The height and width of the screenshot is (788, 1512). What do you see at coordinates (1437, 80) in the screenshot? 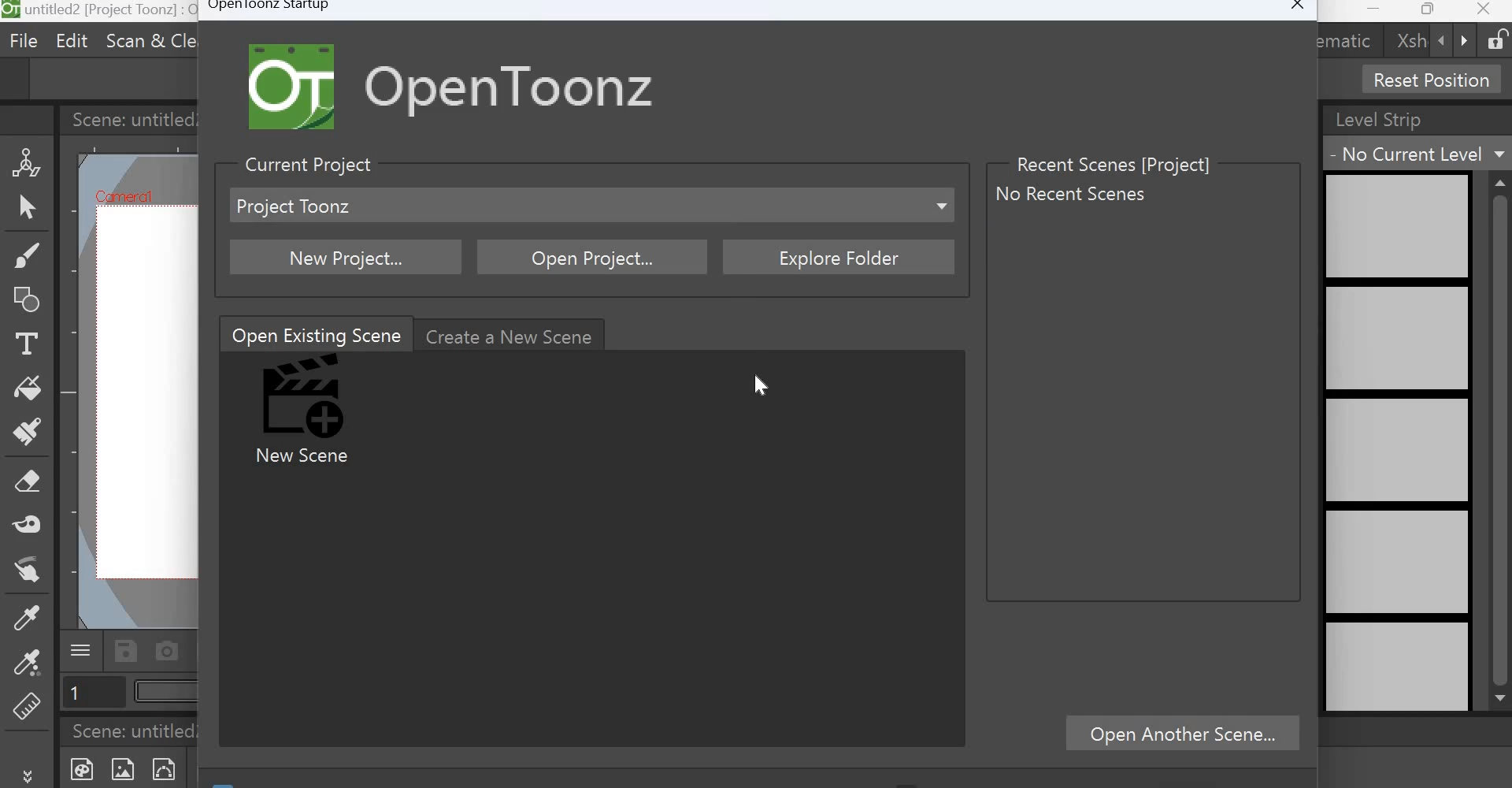
I see `Reset Position` at bounding box center [1437, 80].